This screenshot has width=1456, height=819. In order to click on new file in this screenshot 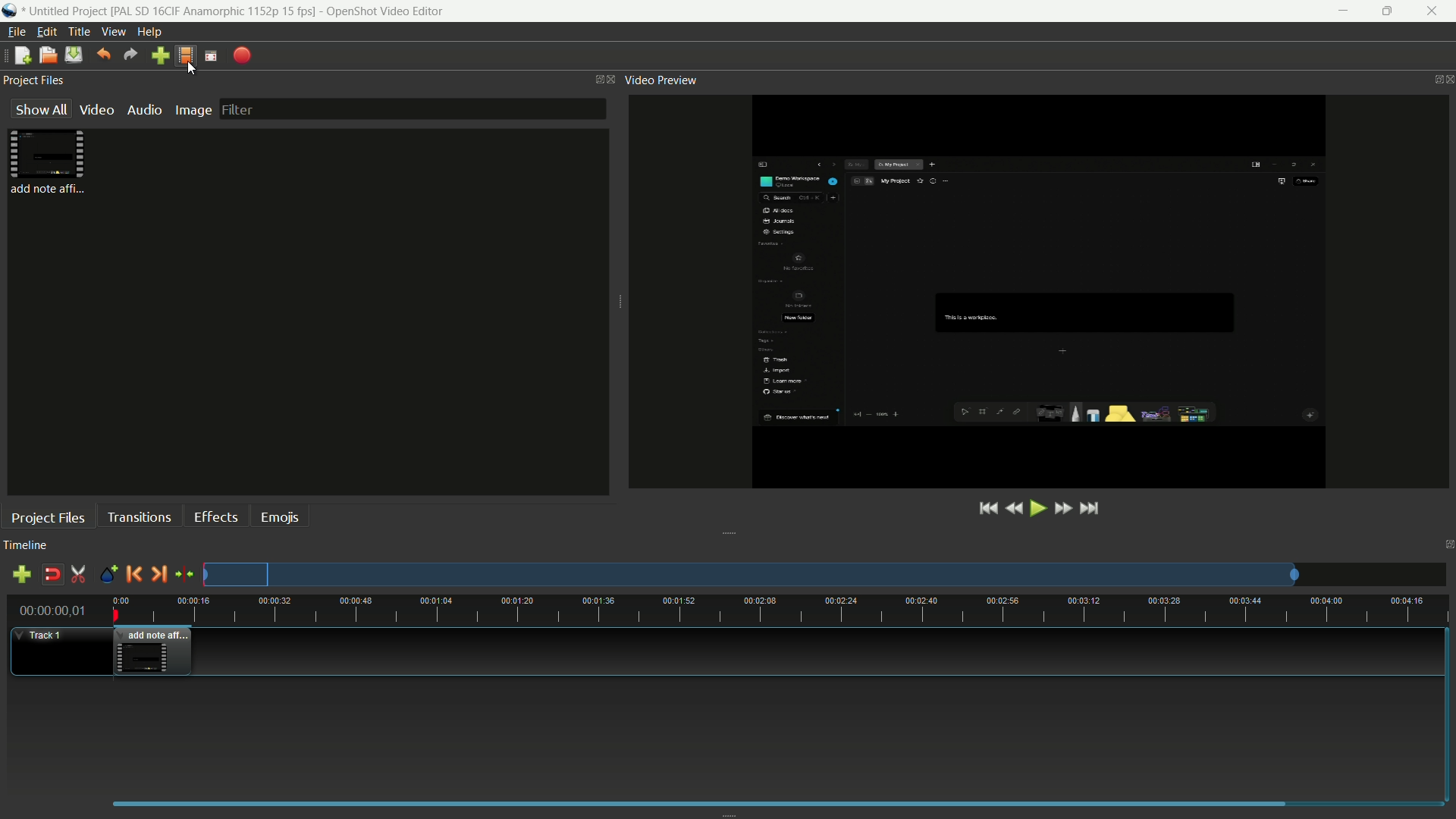, I will do `click(19, 57)`.